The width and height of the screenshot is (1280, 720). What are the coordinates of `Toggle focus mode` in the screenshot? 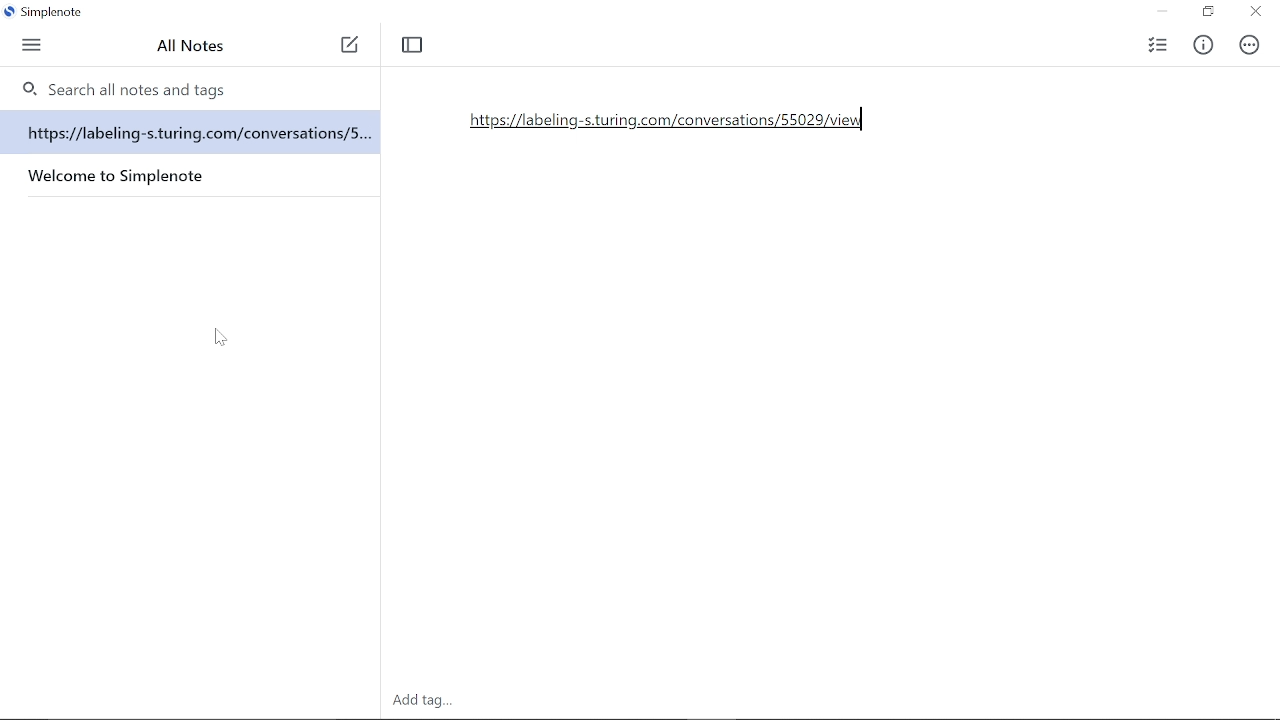 It's located at (419, 47).